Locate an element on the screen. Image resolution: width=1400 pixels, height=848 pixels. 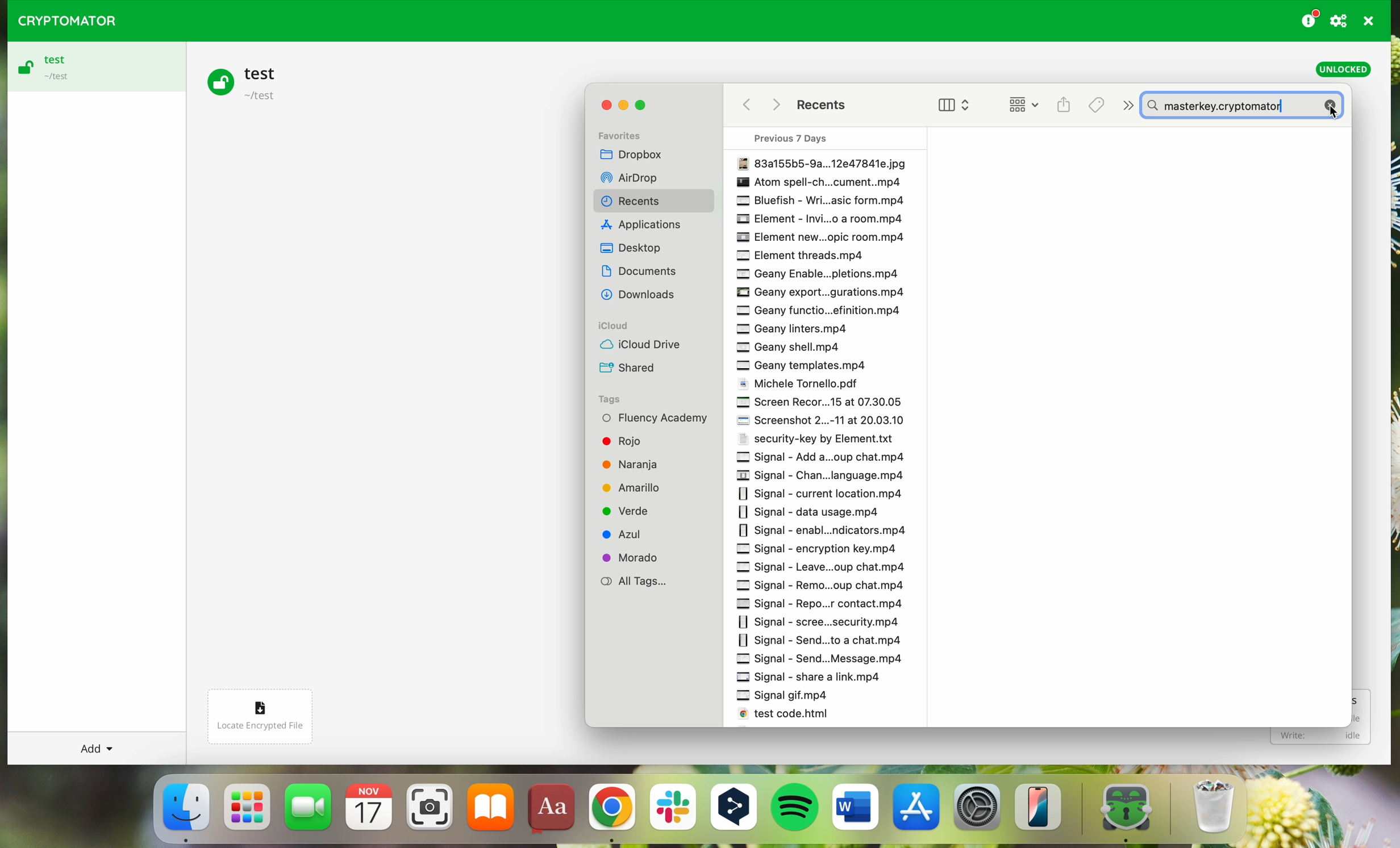
launchpad is located at coordinates (248, 814).